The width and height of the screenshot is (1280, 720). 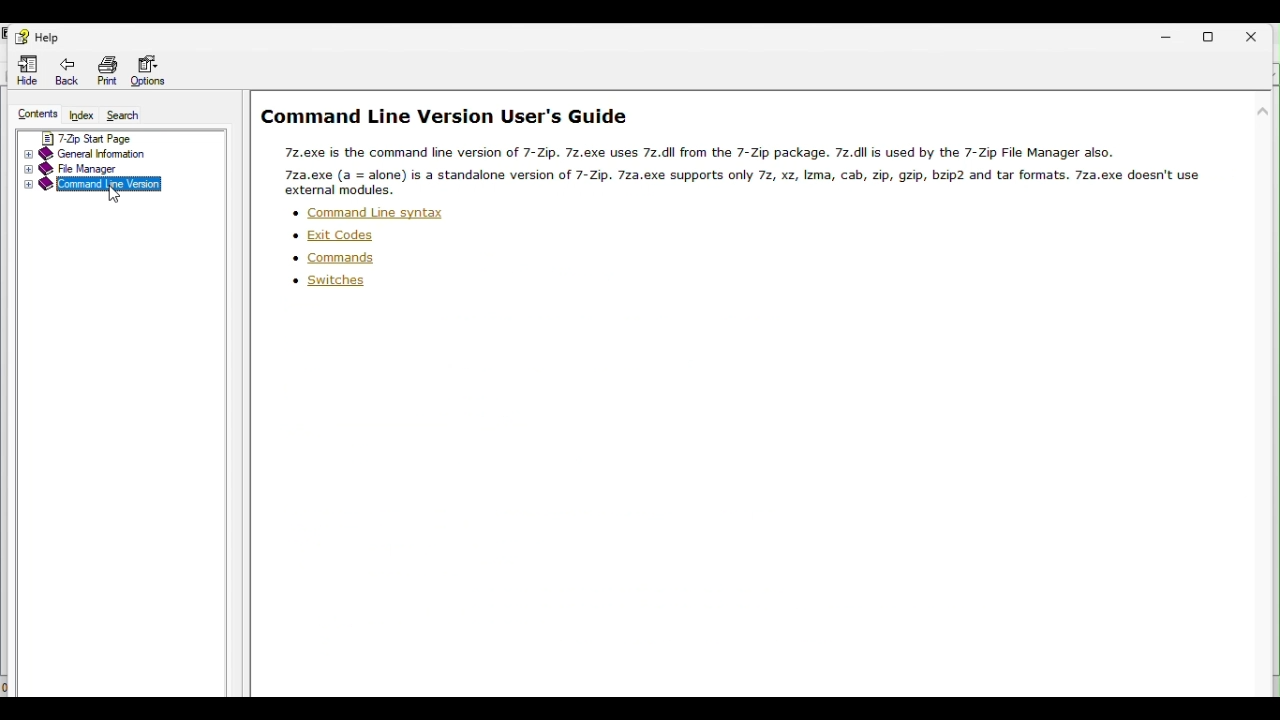 I want to click on options, so click(x=152, y=69).